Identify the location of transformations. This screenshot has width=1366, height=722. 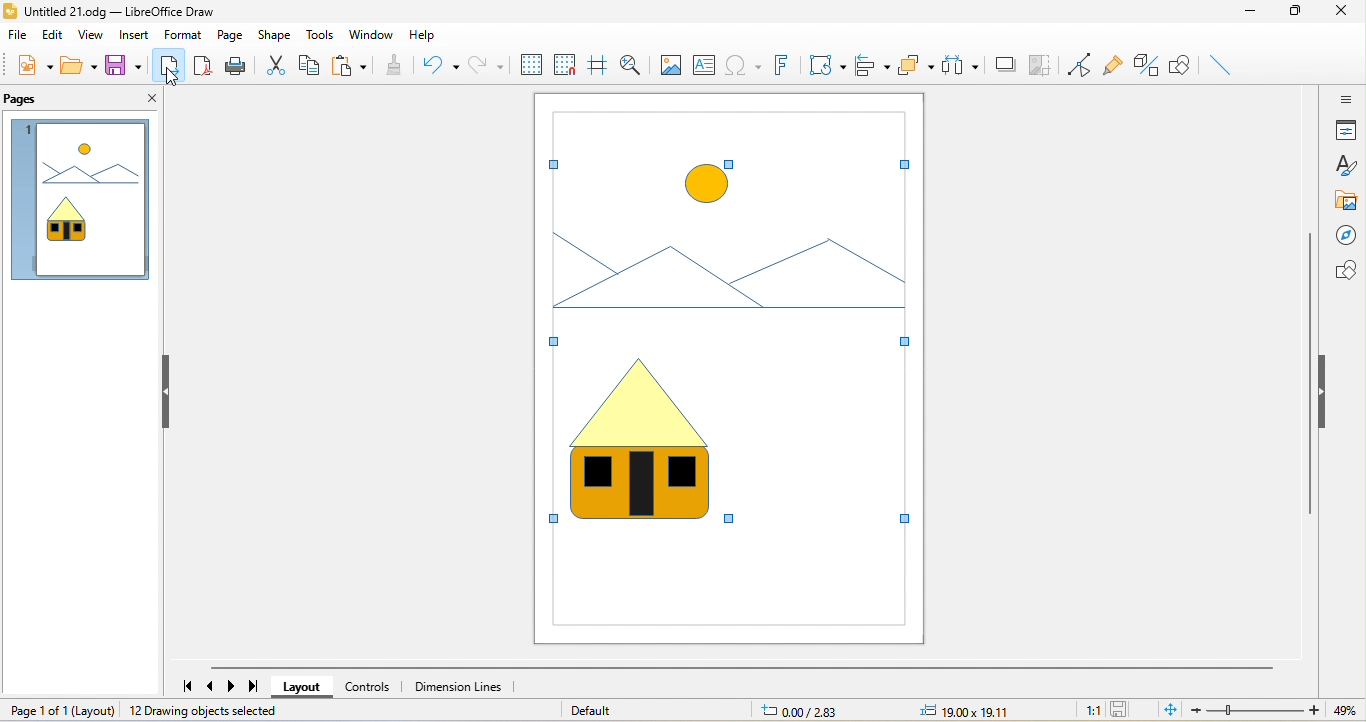
(826, 66).